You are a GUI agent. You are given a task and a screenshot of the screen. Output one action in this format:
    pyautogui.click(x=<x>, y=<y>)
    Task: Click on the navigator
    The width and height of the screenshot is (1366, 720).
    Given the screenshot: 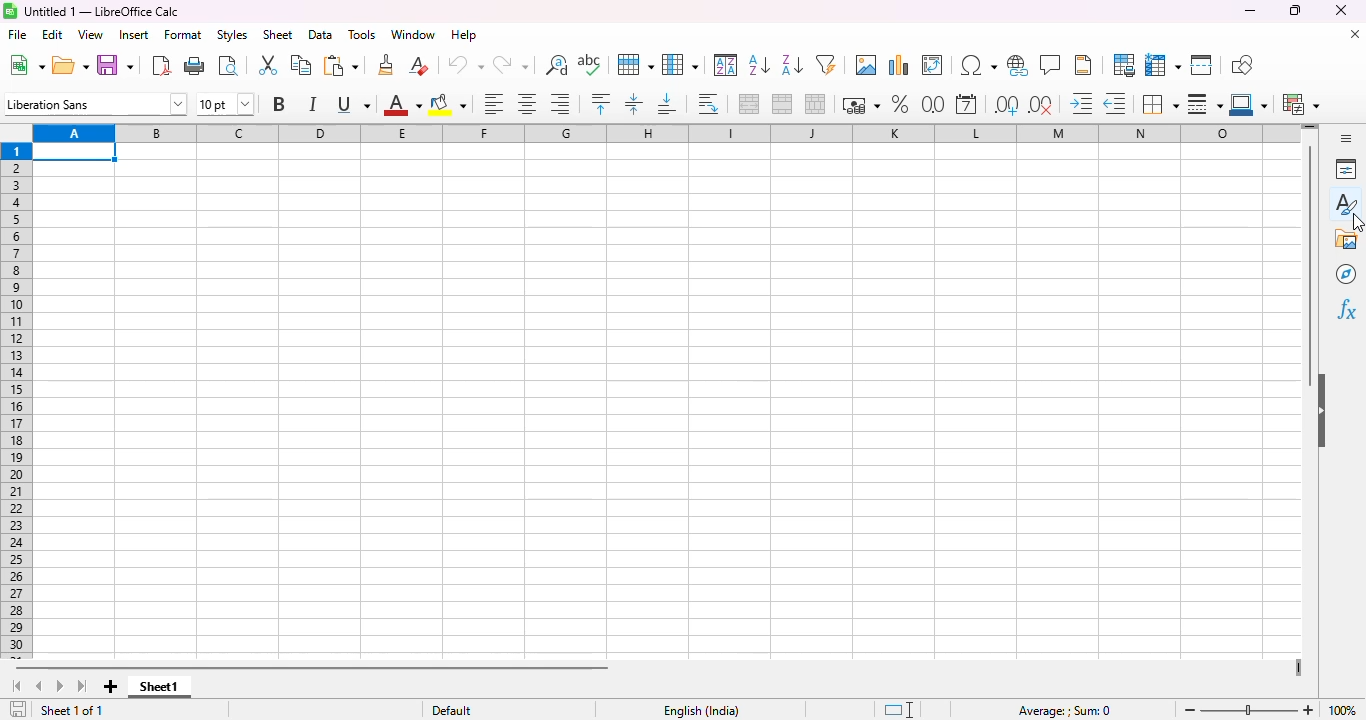 What is the action you would take?
    pyautogui.click(x=1346, y=274)
    